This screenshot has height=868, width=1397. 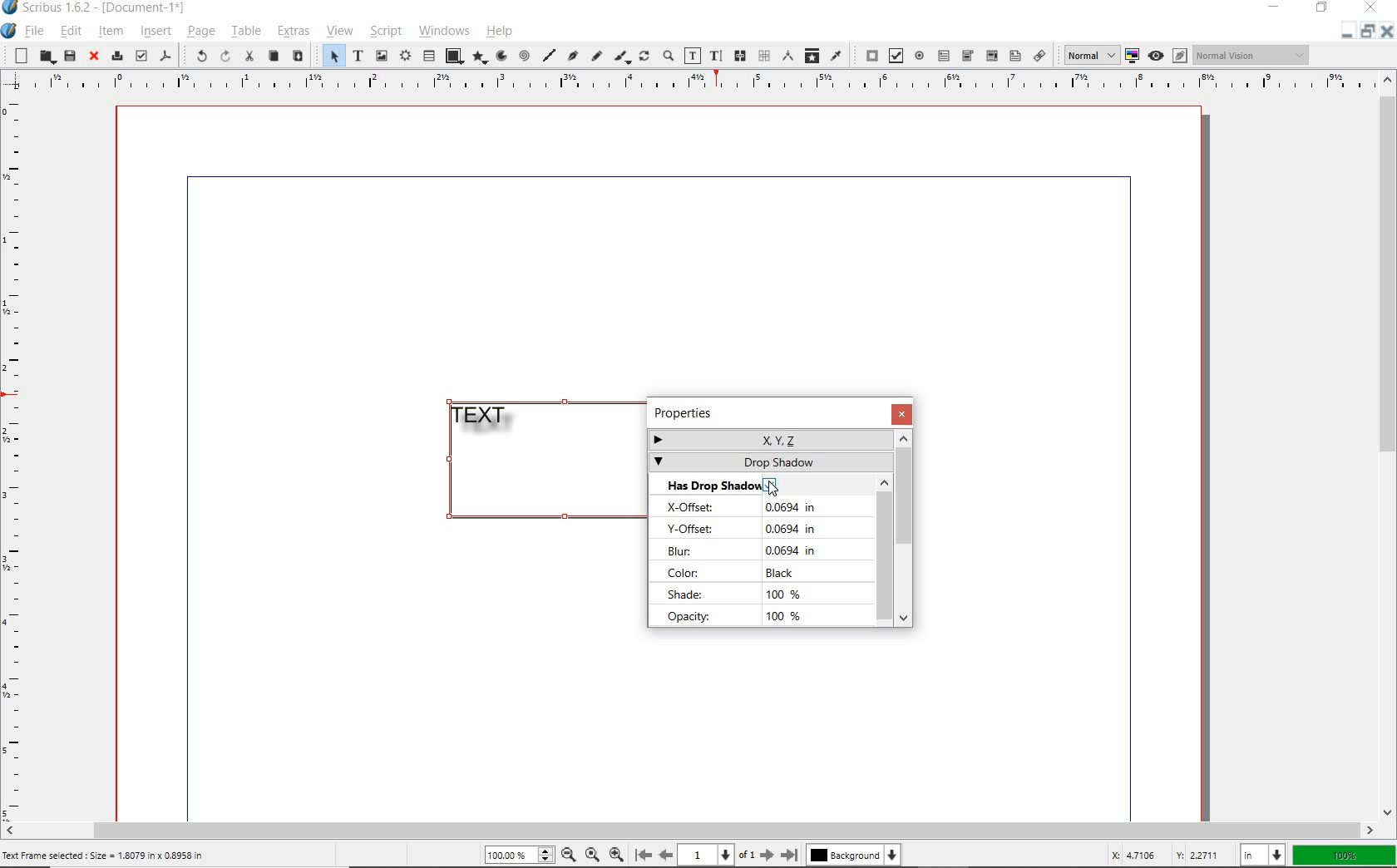 What do you see at coordinates (486, 422) in the screenshot?
I see `drop shadow added to text` at bounding box center [486, 422].